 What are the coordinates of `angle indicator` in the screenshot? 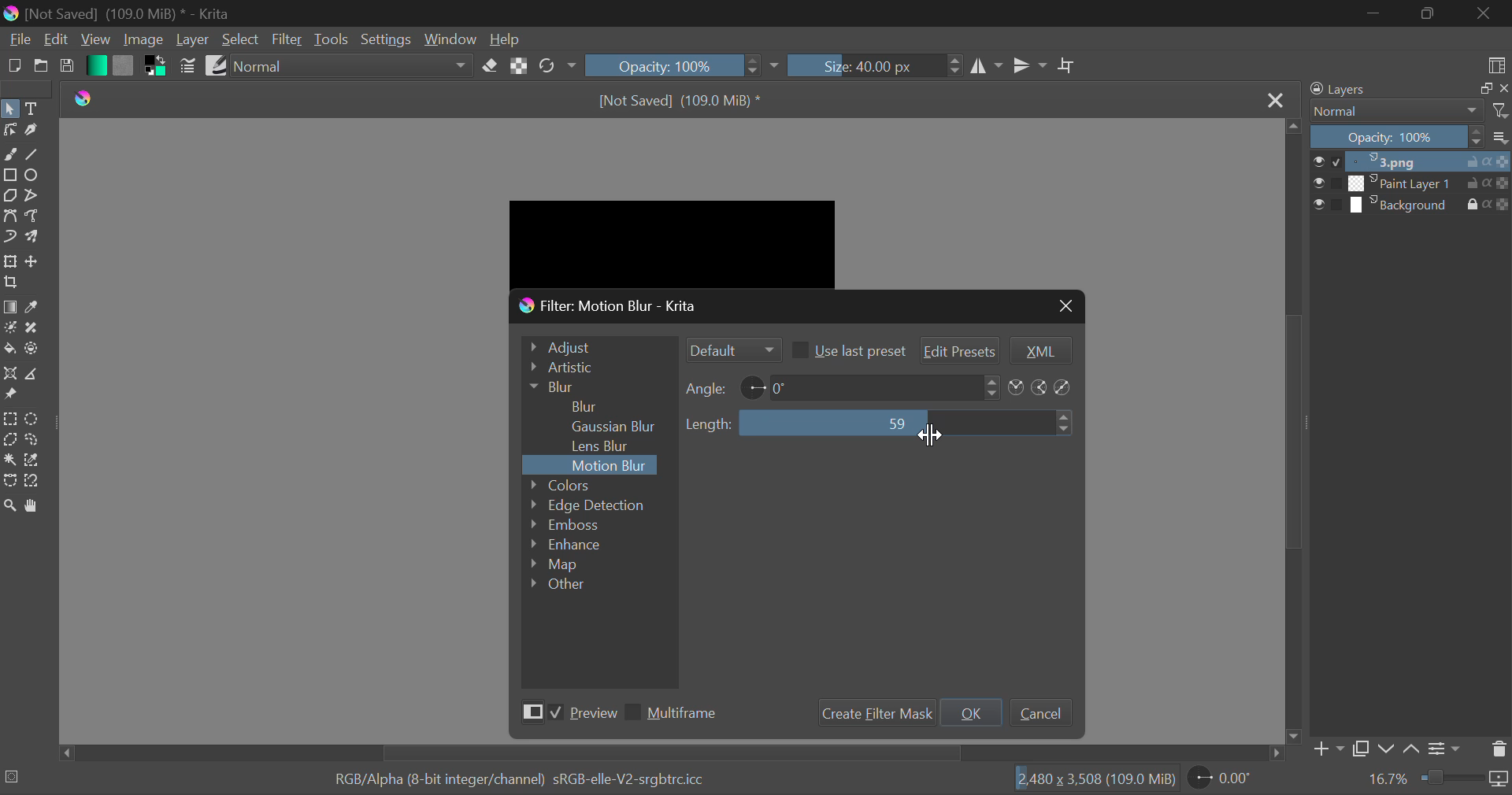 It's located at (753, 386).